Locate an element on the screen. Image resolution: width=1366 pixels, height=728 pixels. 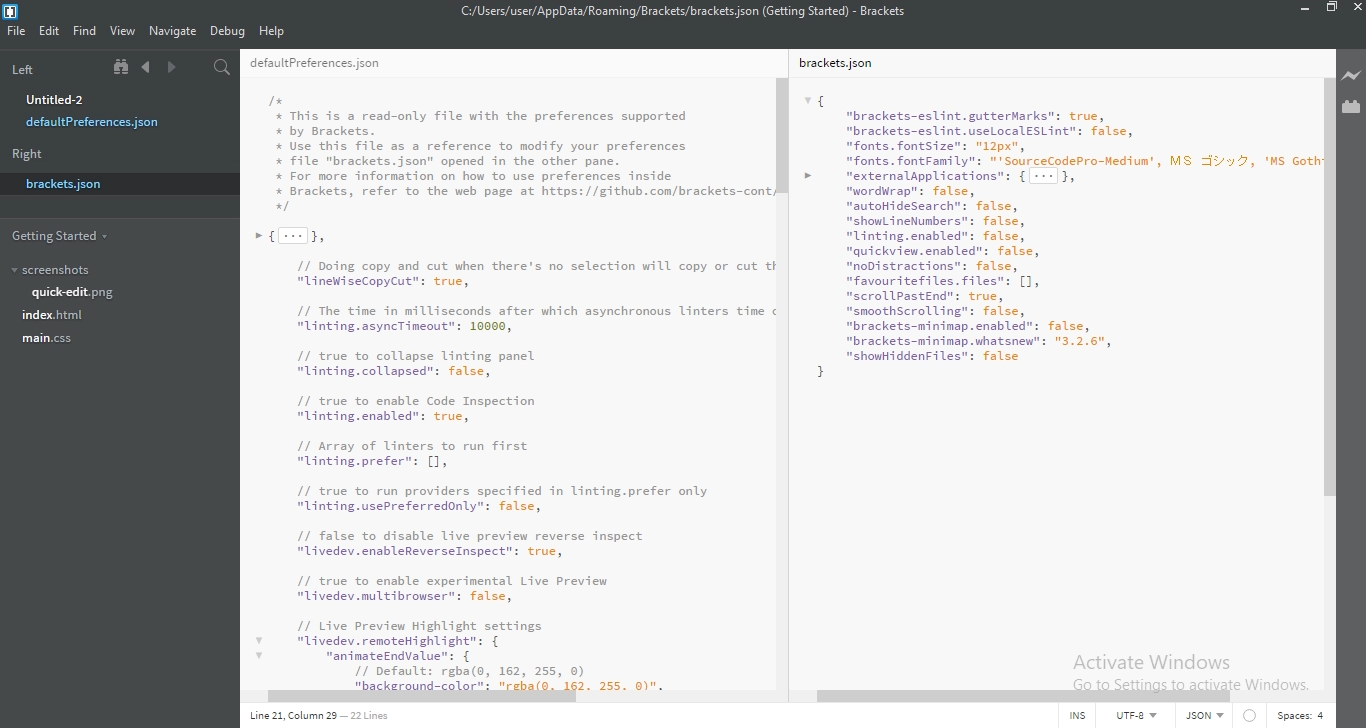
find files is located at coordinates (223, 69).